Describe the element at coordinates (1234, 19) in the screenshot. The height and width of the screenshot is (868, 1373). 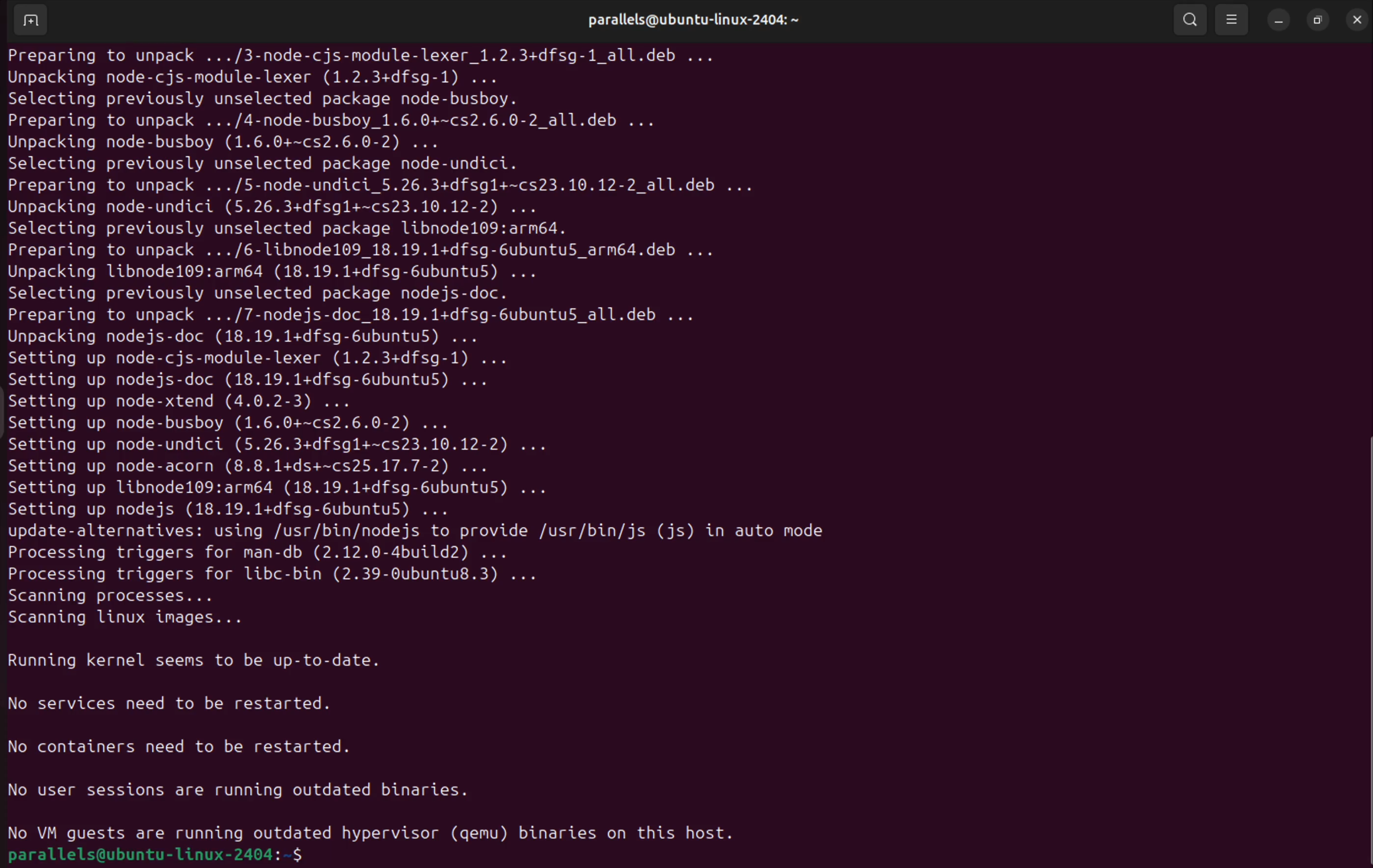
I see `view option` at that location.